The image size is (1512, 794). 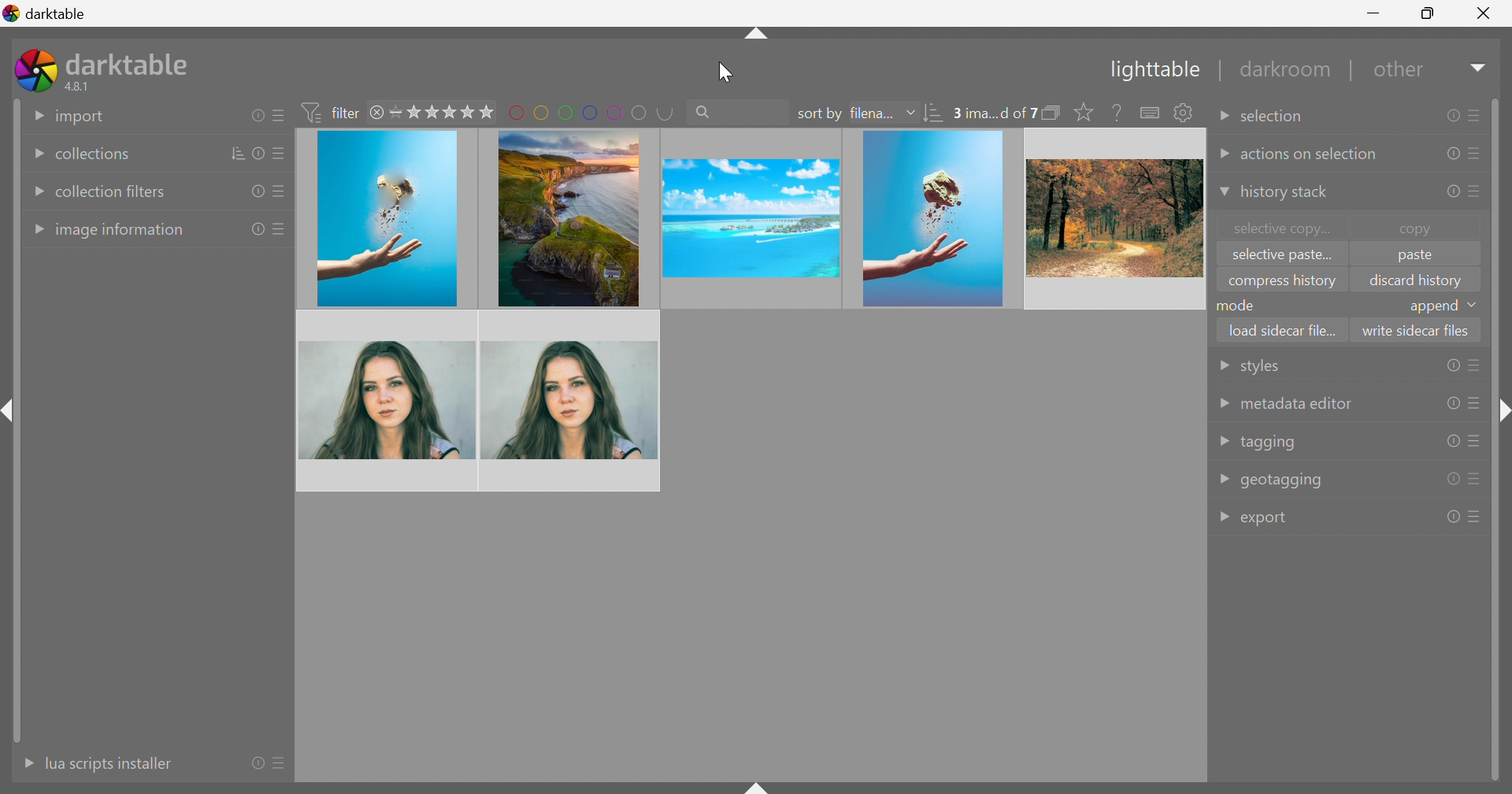 I want to click on reset, so click(x=256, y=115).